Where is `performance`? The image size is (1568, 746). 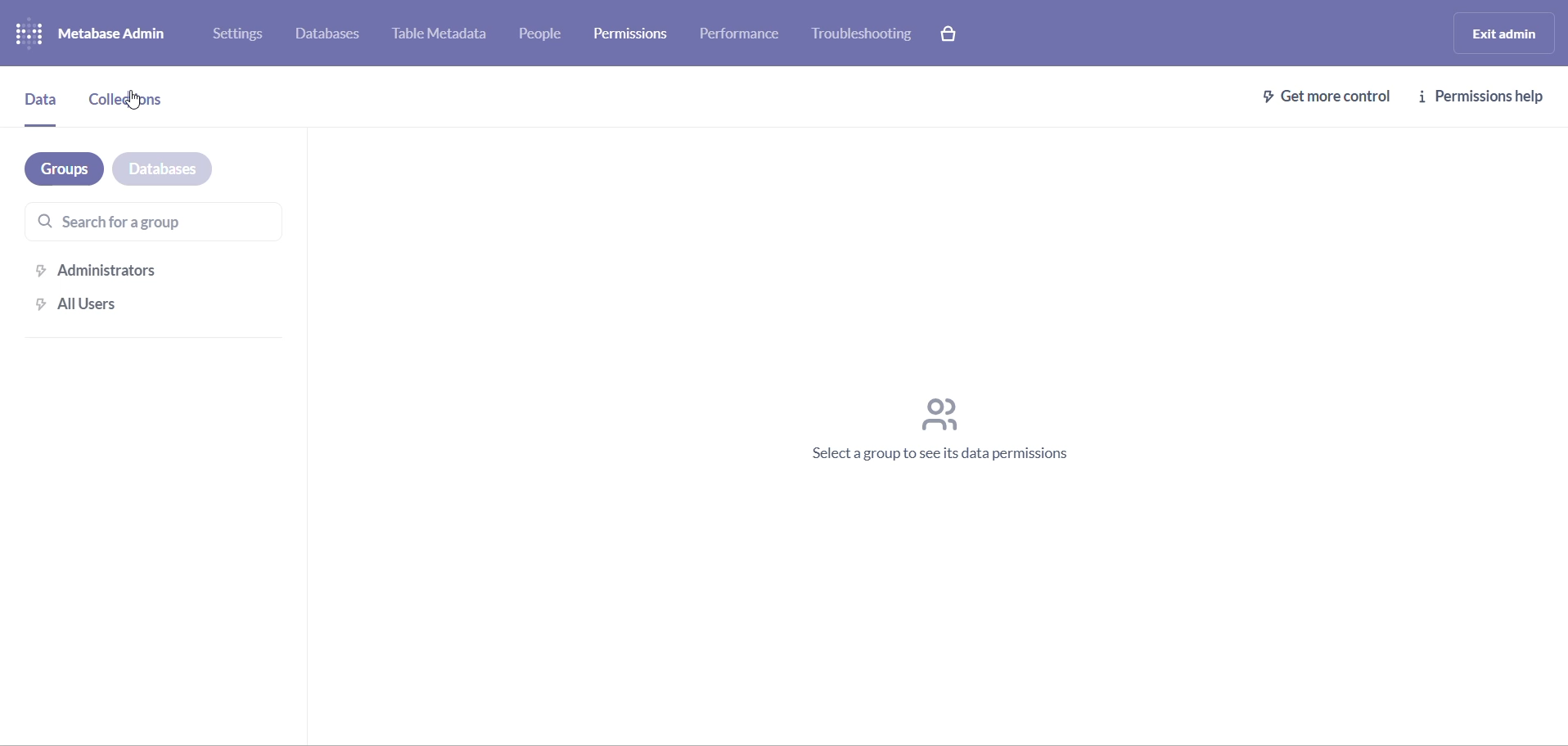
performance is located at coordinates (742, 38).